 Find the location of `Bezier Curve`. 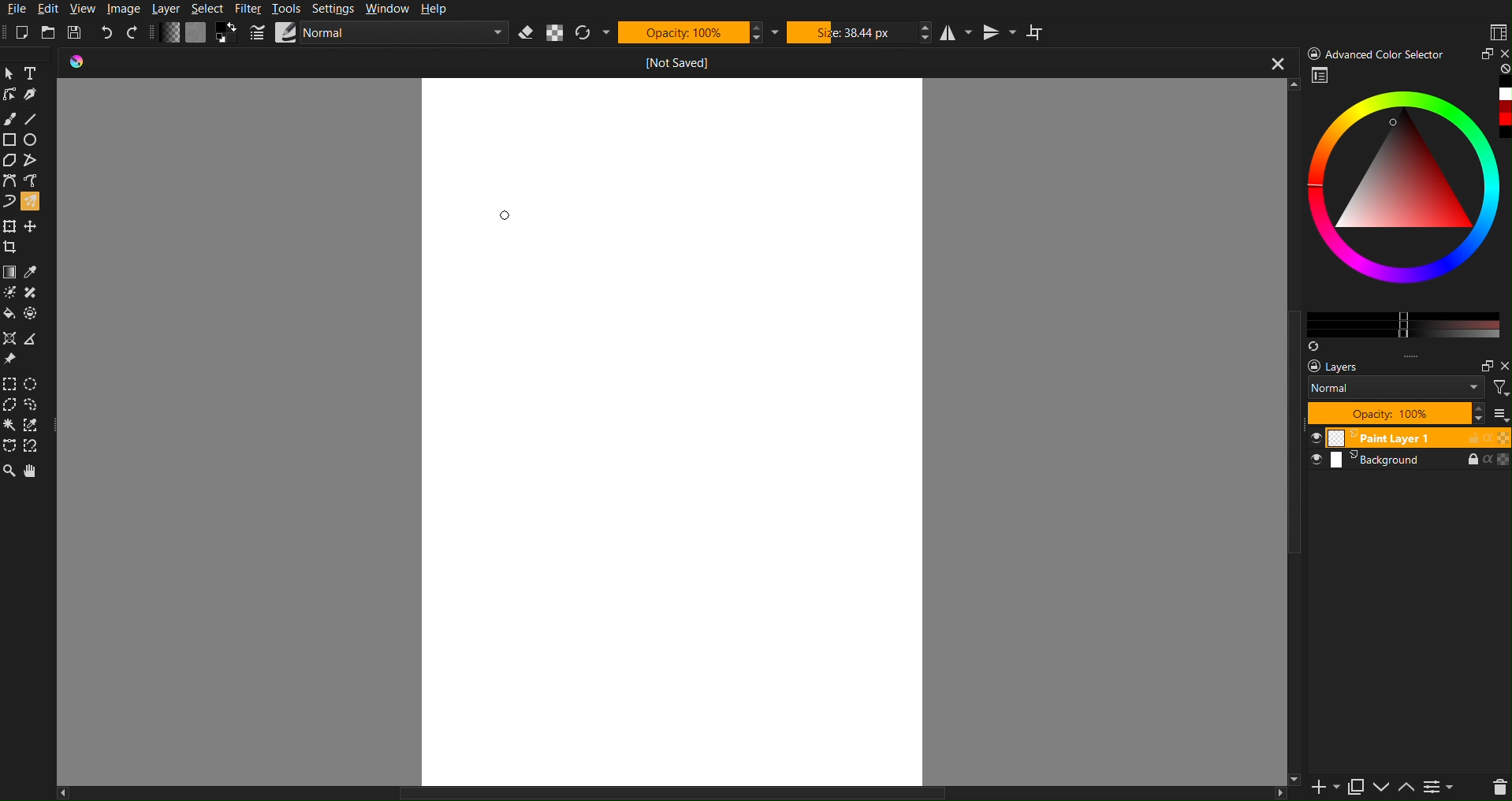

Bezier Curve is located at coordinates (9, 181).